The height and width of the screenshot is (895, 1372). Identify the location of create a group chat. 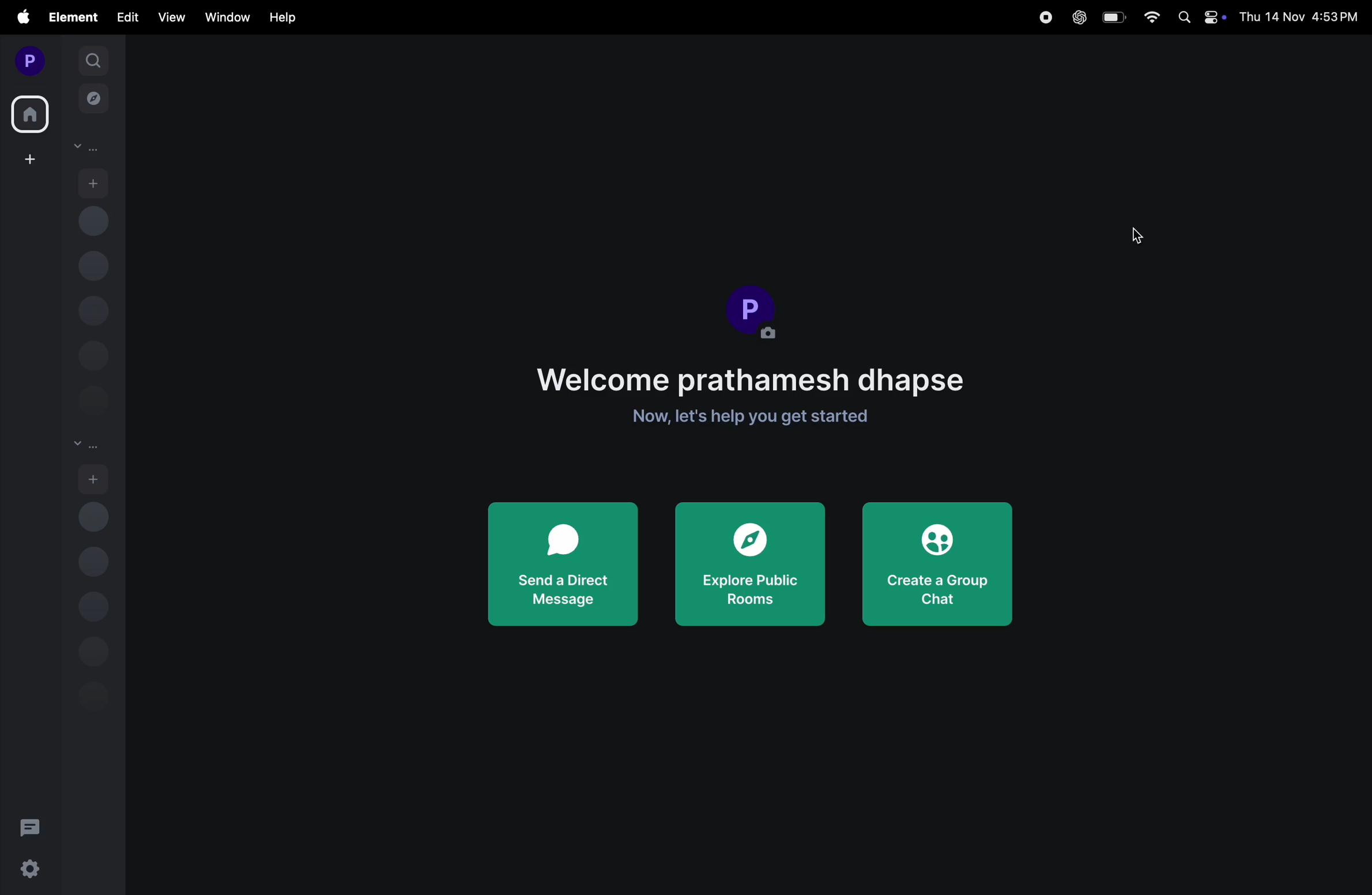
(935, 562).